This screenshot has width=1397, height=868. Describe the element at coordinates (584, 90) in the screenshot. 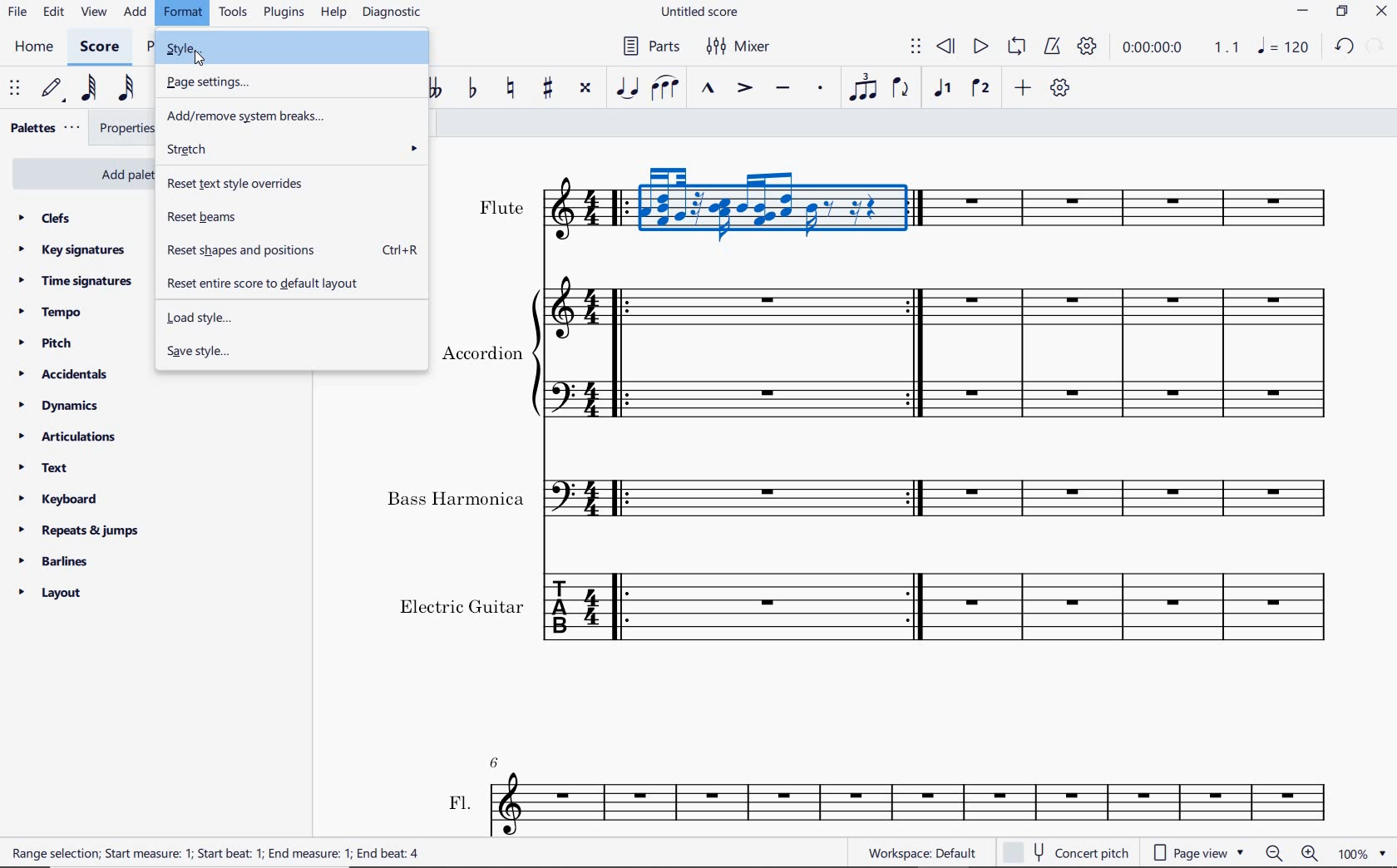

I see `toggle double-sharp` at that location.